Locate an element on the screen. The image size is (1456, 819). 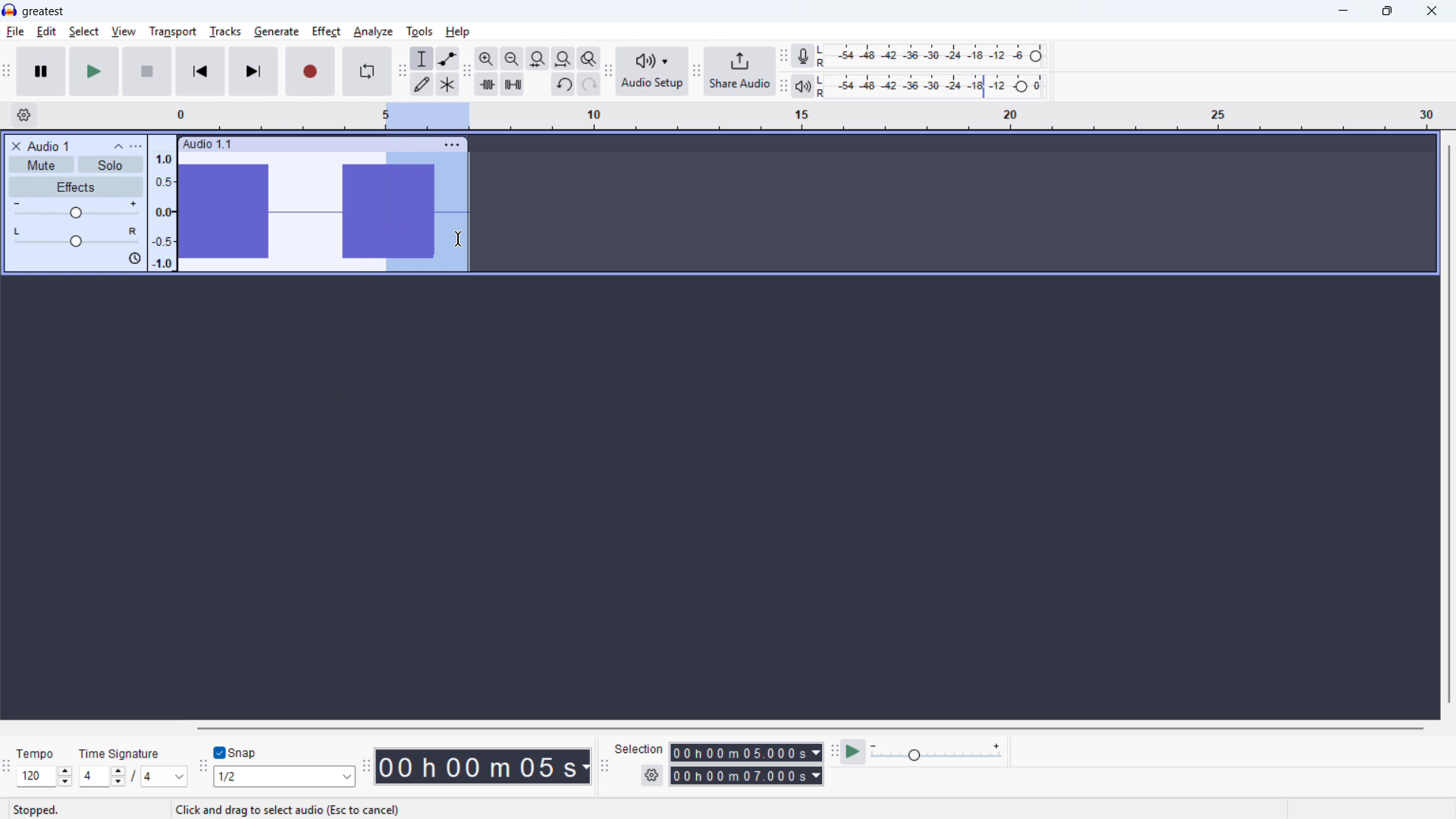
view is located at coordinates (124, 33).